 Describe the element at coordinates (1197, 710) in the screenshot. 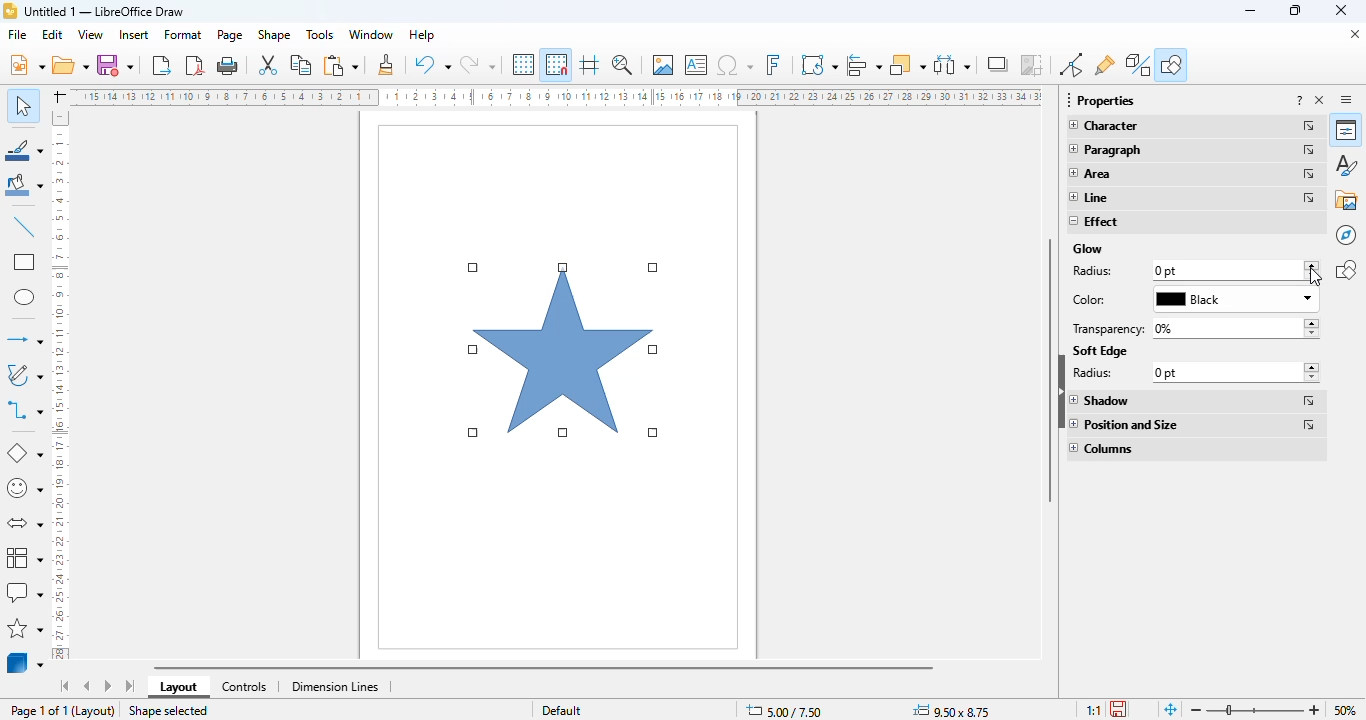

I see `Zoom out` at that location.